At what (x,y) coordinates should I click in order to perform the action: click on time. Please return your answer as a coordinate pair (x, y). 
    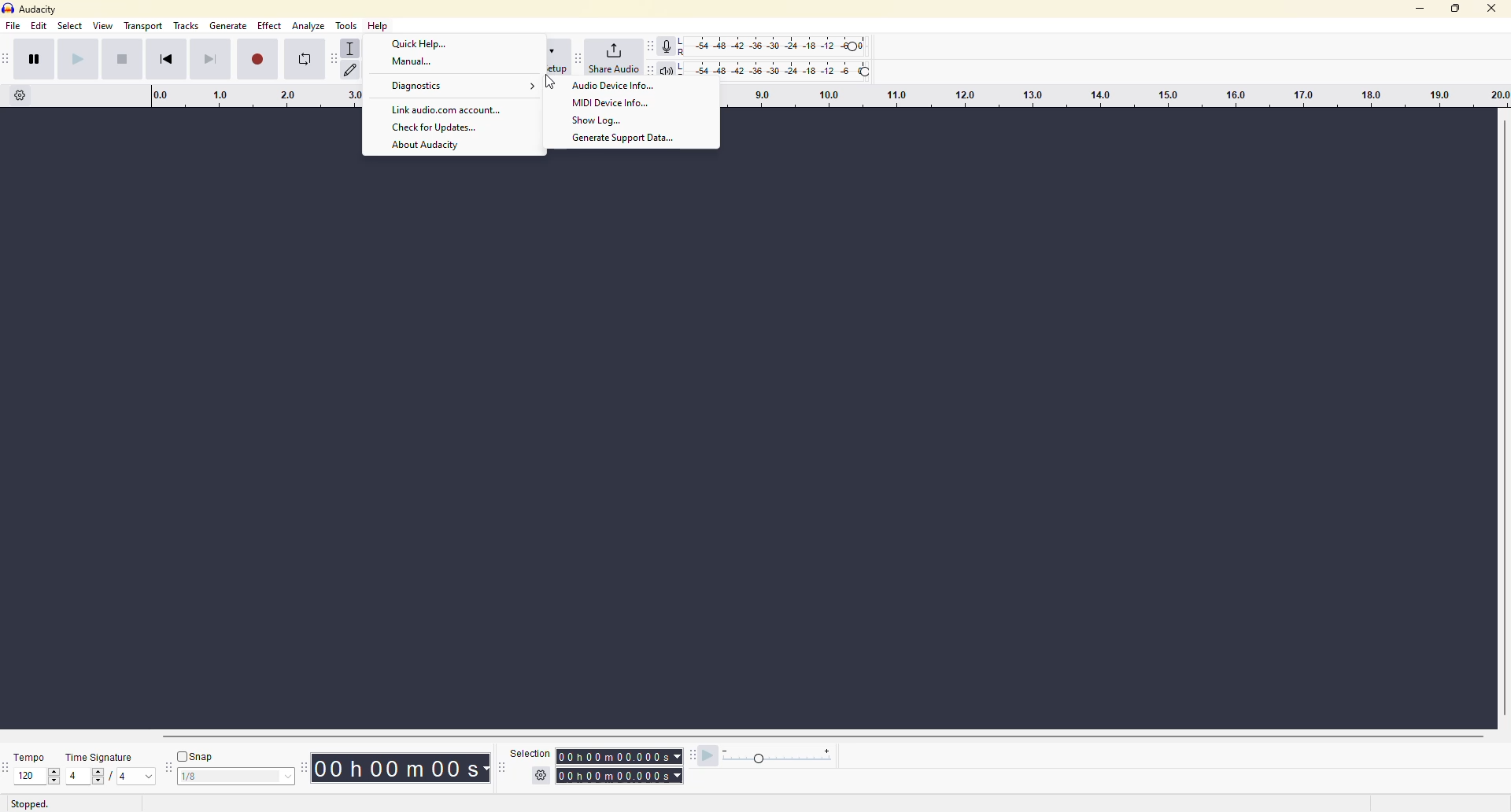
    Looking at the image, I should click on (622, 764).